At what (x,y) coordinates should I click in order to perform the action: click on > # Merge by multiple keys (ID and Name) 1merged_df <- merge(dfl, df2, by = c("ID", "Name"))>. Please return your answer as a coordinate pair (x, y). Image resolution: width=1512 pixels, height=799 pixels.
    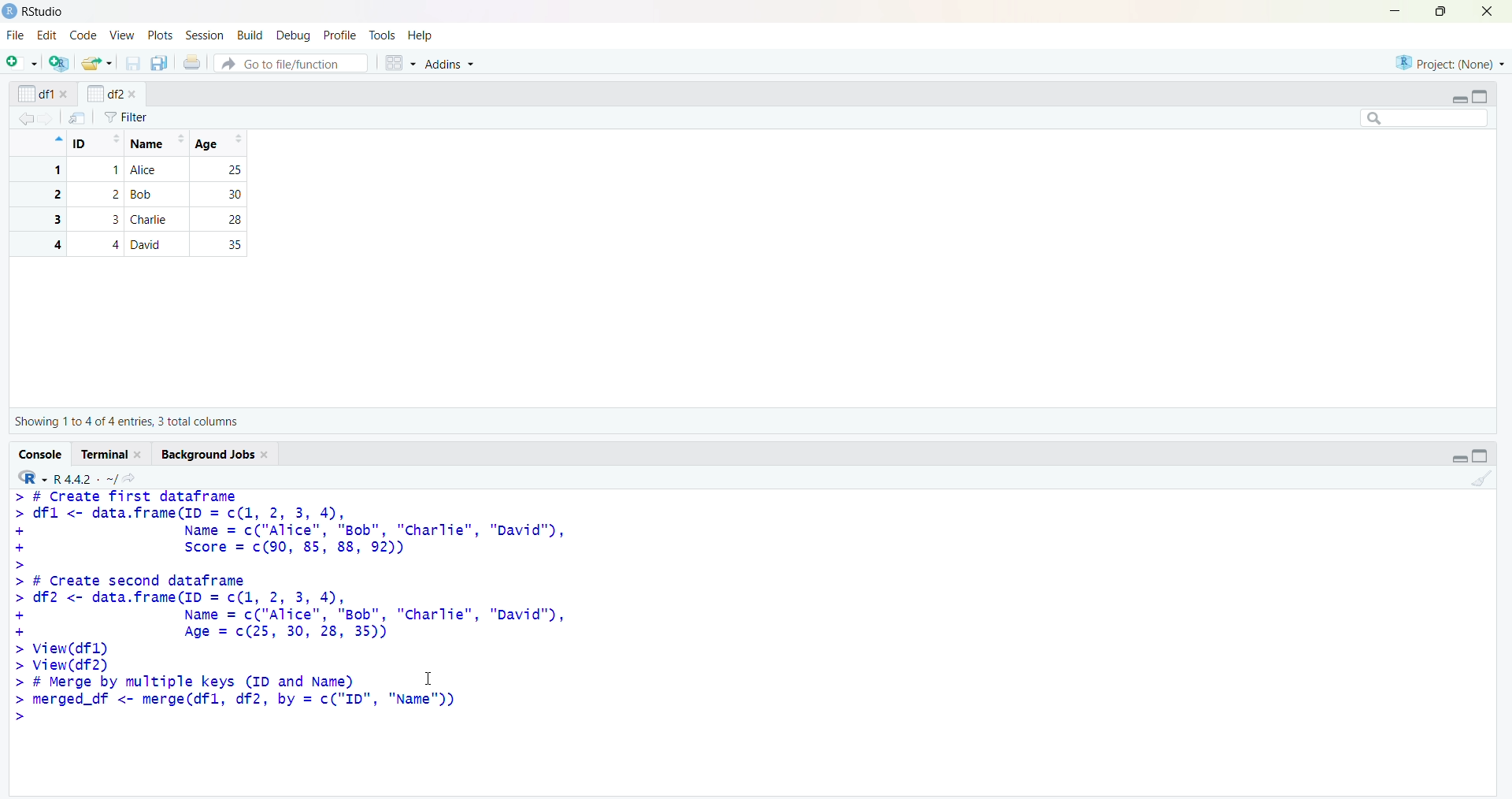
    Looking at the image, I should click on (239, 698).